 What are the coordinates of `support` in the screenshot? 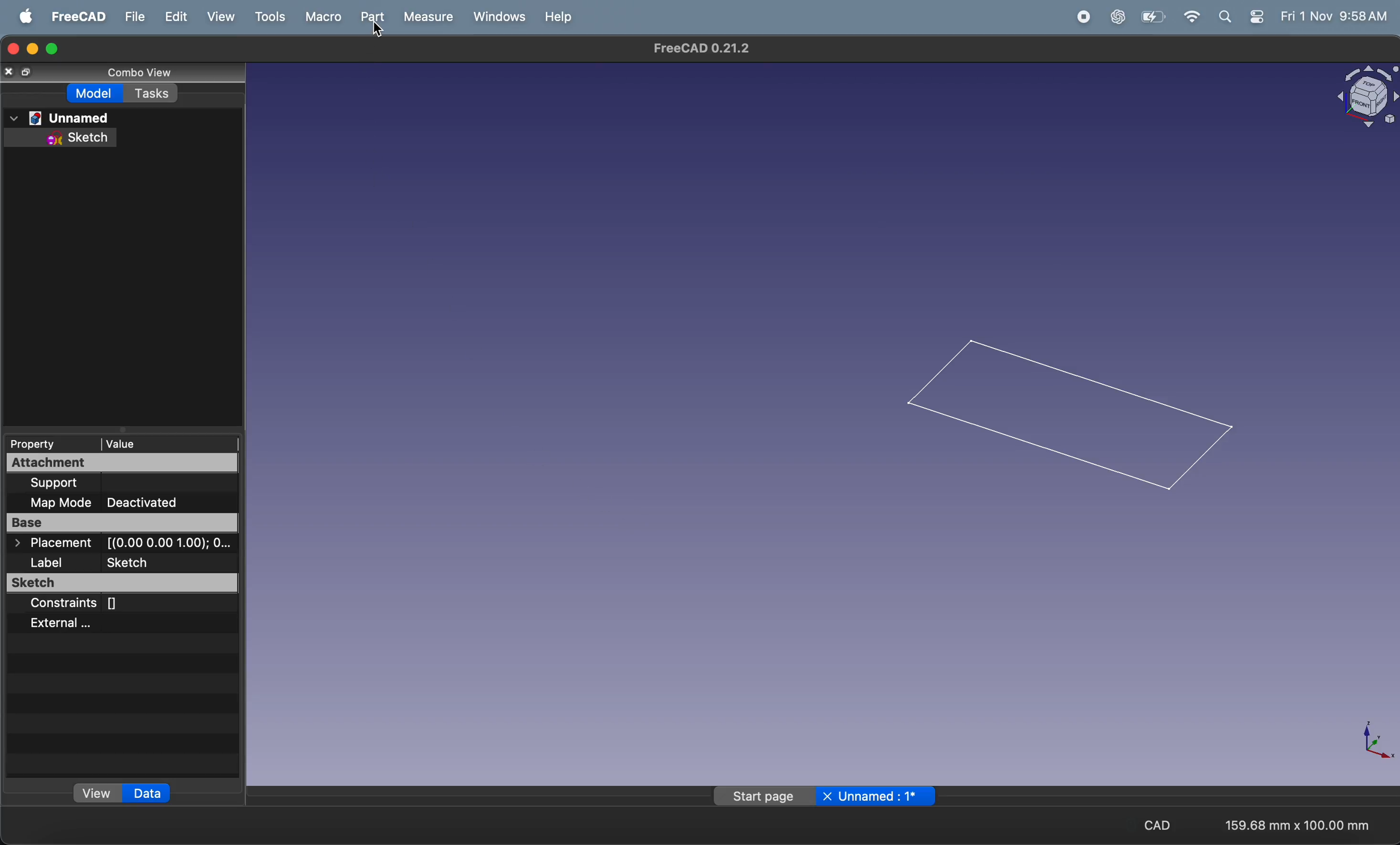 It's located at (111, 482).